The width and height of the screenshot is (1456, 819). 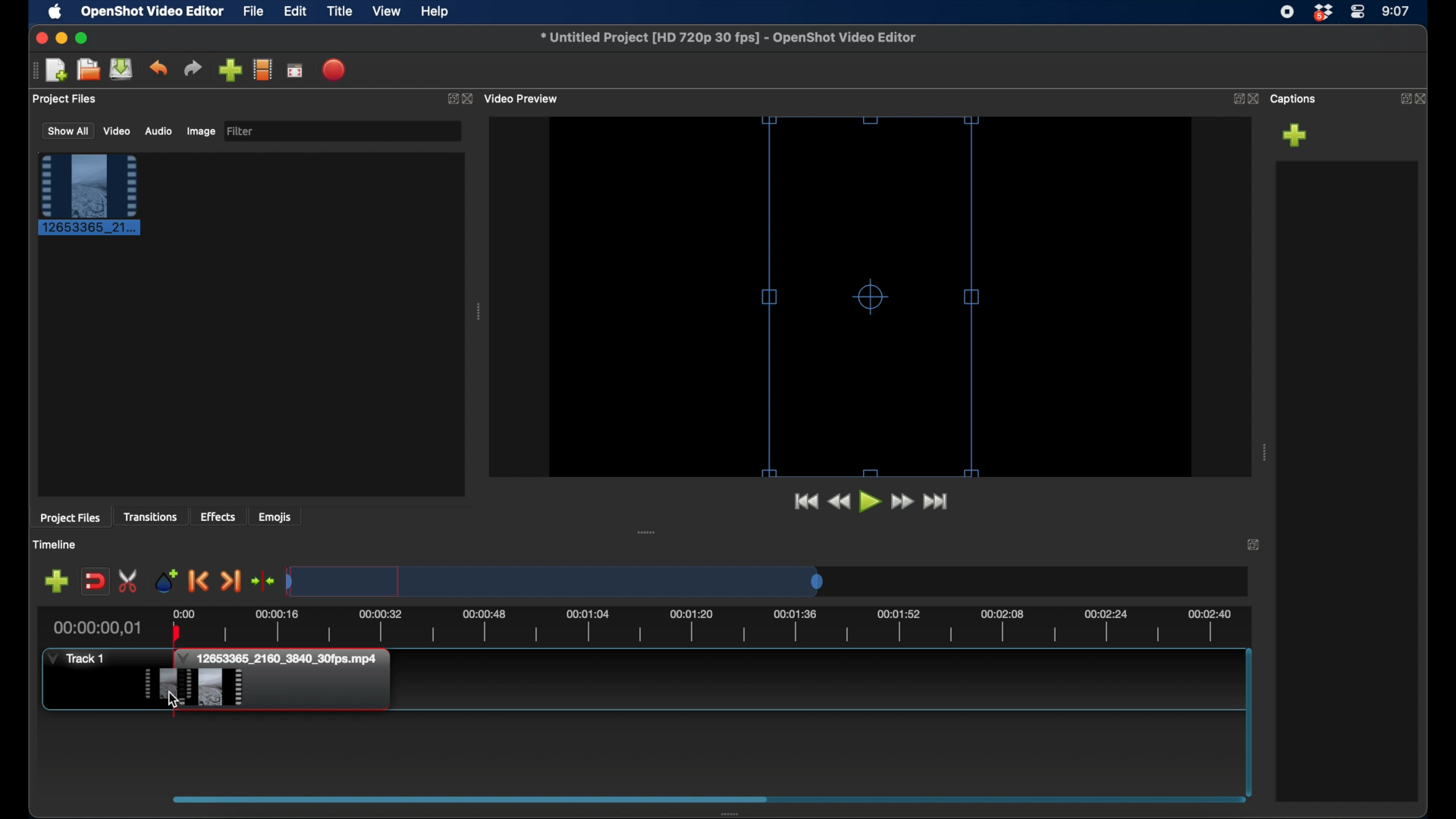 What do you see at coordinates (263, 70) in the screenshot?
I see `explore profiles` at bounding box center [263, 70].